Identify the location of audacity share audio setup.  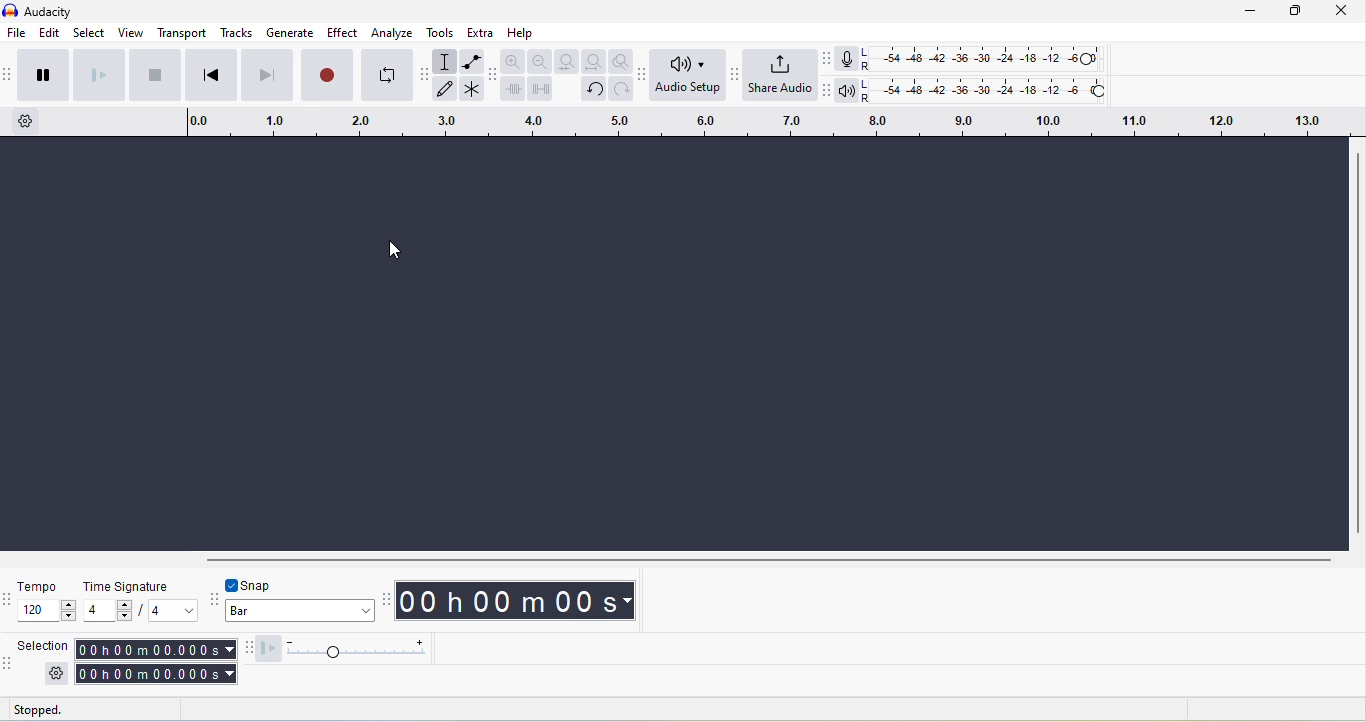
(736, 77).